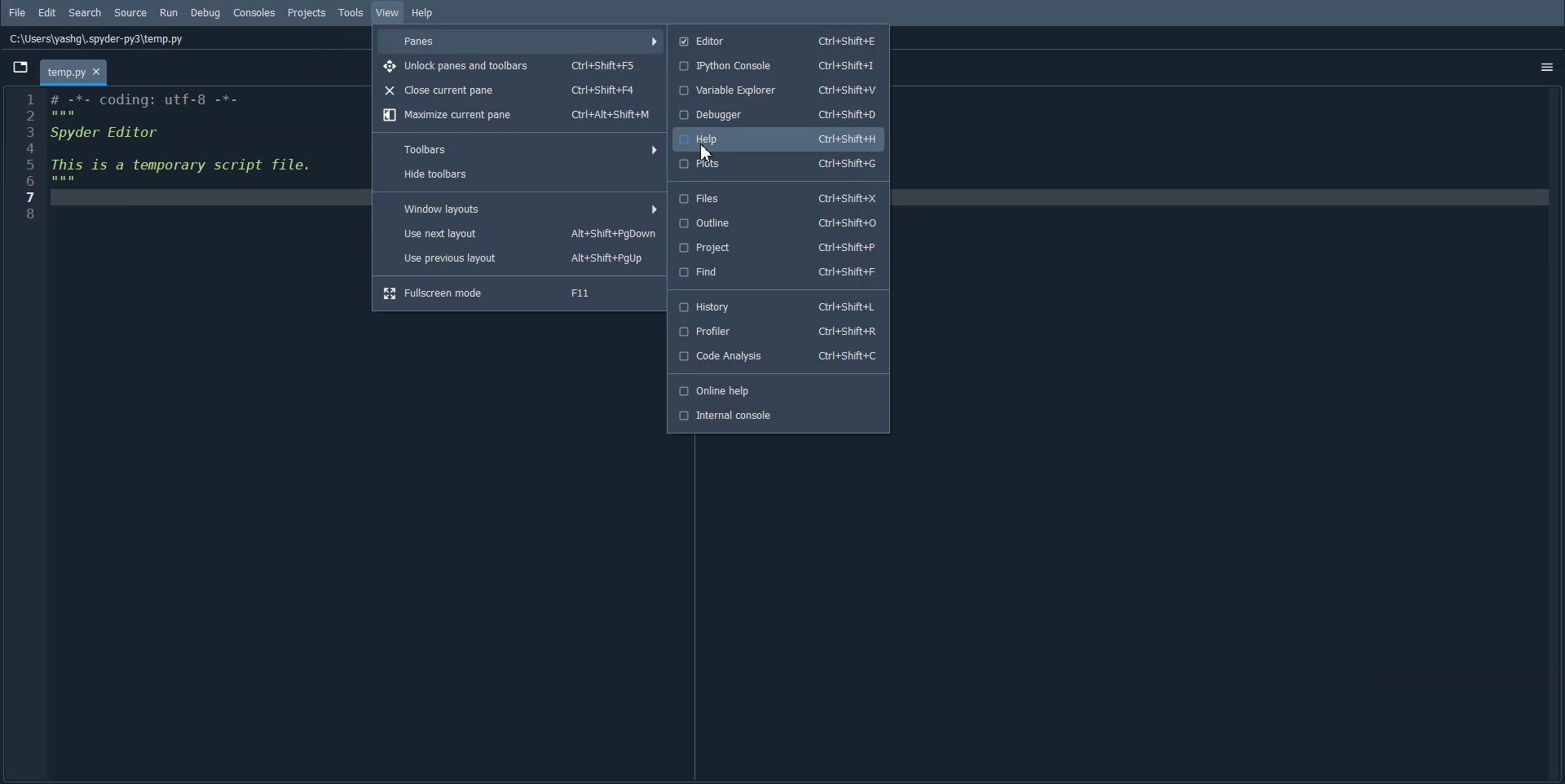 The width and height of the screenshot is (1565, 784). What do you see at coordinates (202, 154) in the screenshot?
I see `# -*- coding: utf-8 -*- """ Spyder Editor  This is a temporary script file. """` at bounding box center [202, 154].